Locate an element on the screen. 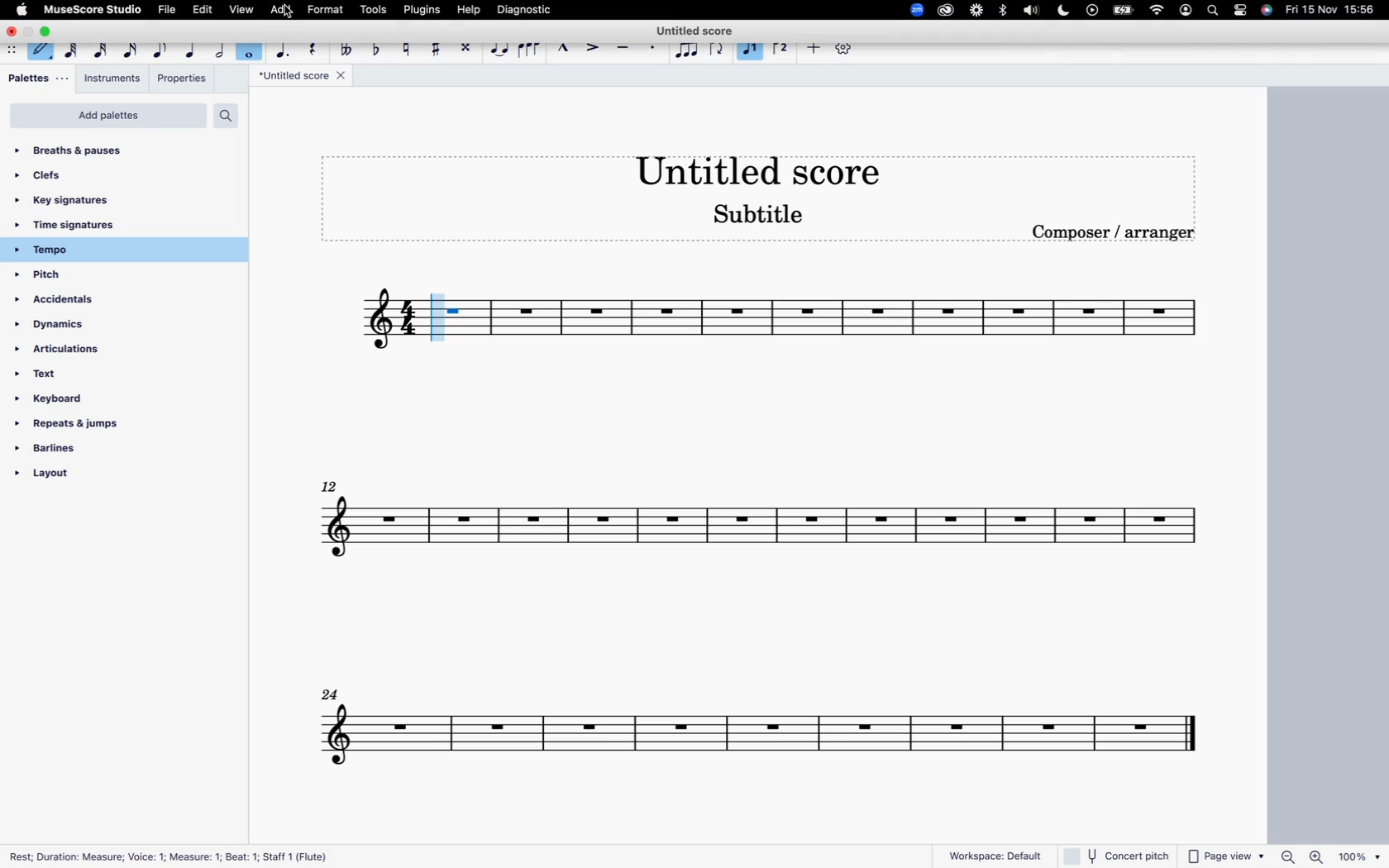 Image resolution: width=1389 pixels, height=868 pixels. toggle sharp is located at coordinates (435, 47).